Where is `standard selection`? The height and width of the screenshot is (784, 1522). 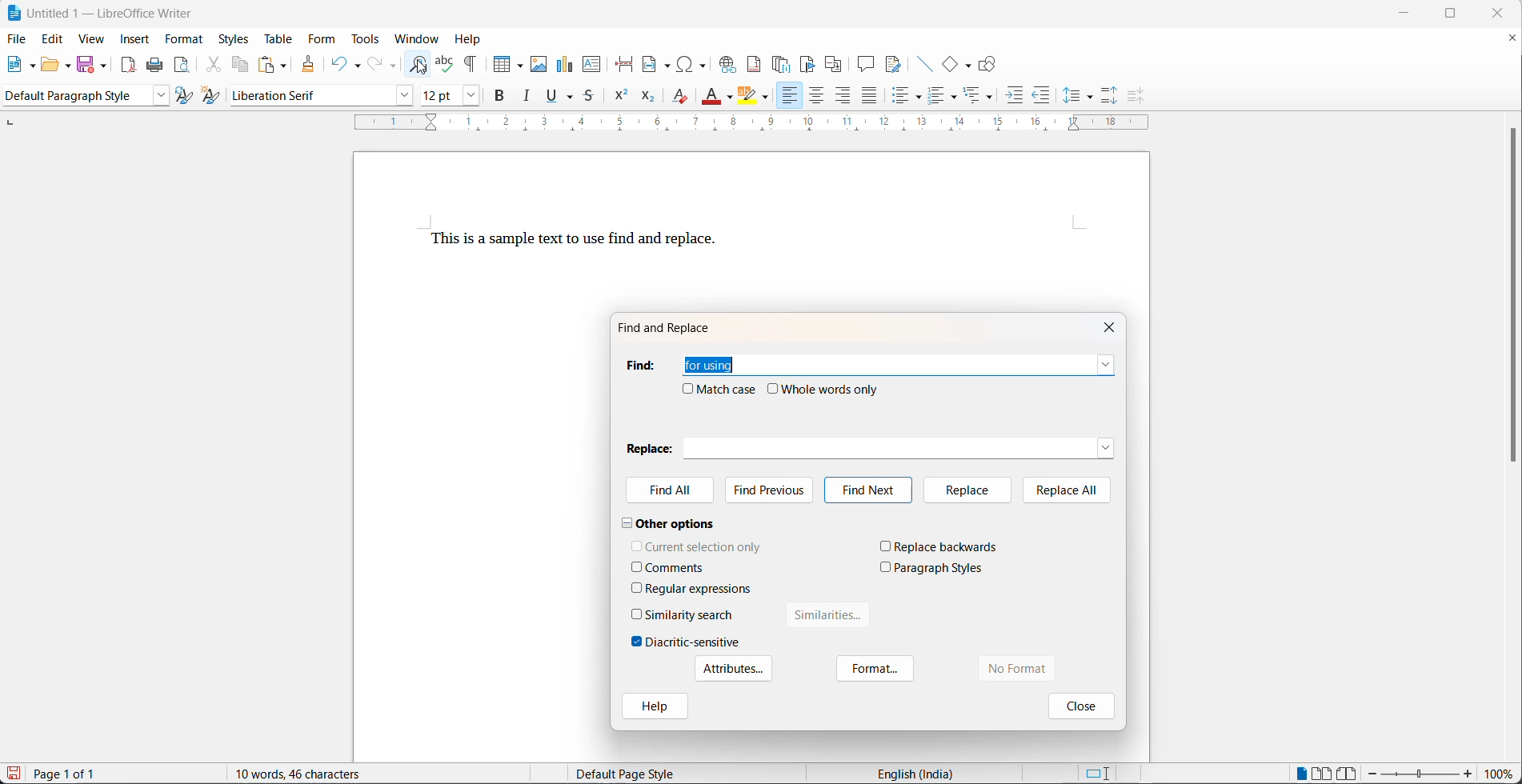
standard selection is located at coordinates (1097, 773).